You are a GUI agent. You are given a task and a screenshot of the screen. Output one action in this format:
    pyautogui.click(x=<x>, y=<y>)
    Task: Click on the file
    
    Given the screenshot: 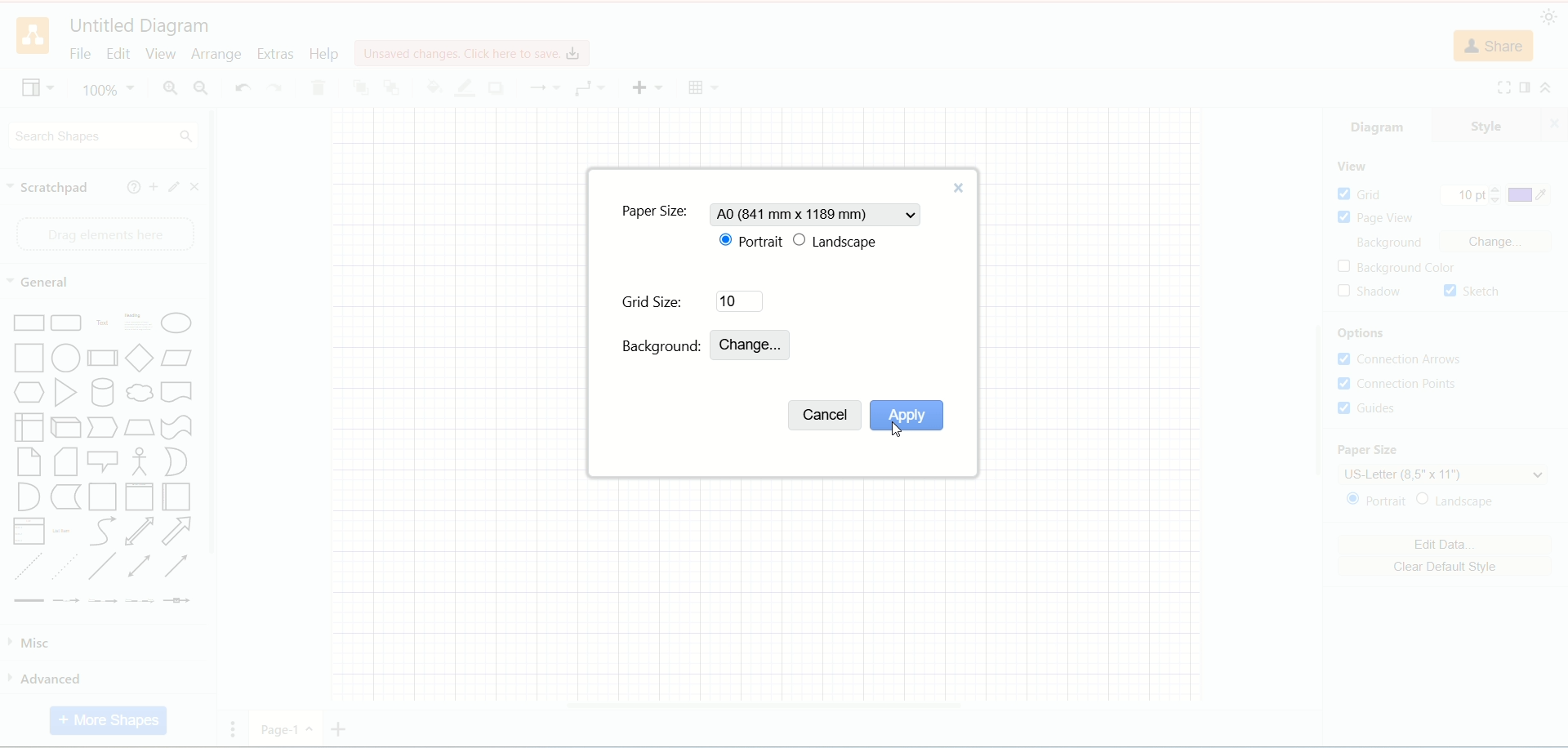 What is the action you would take?
    pyautogui.click(x=79, y=54)
    